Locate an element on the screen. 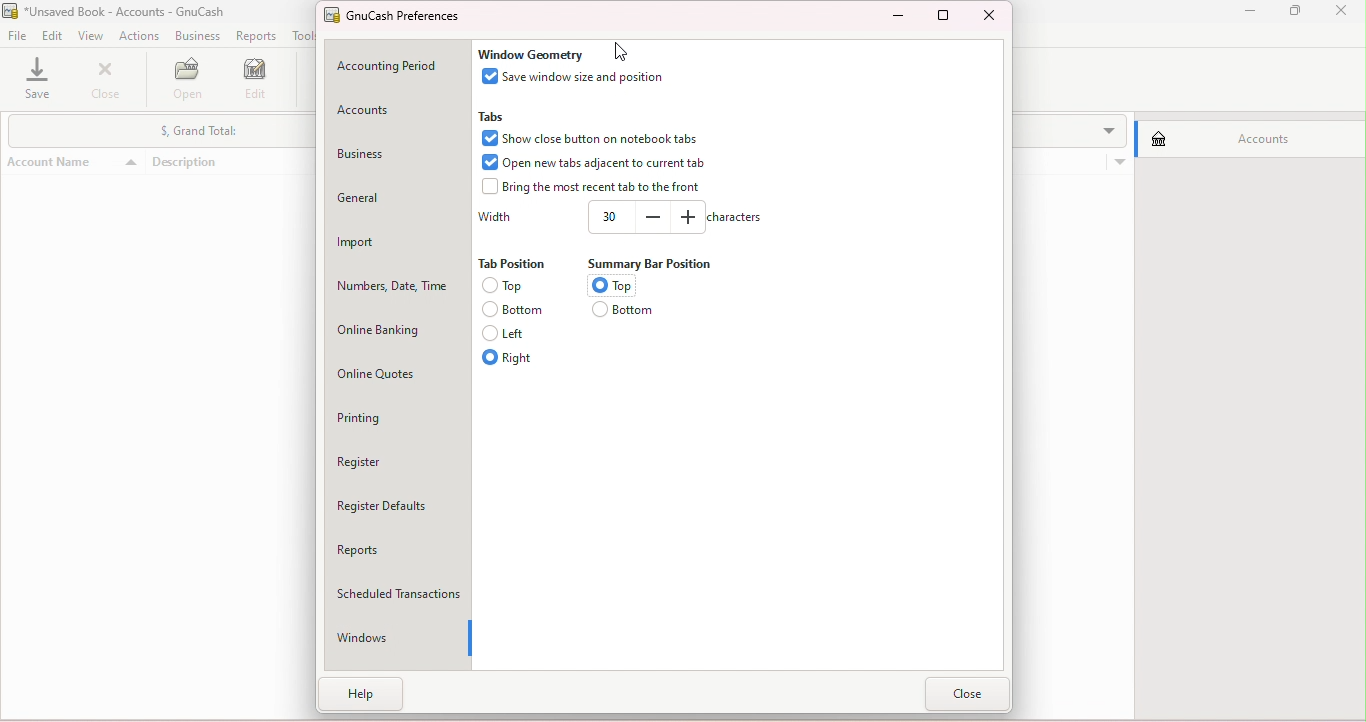  Online banking is located at coordinates (394, 323).